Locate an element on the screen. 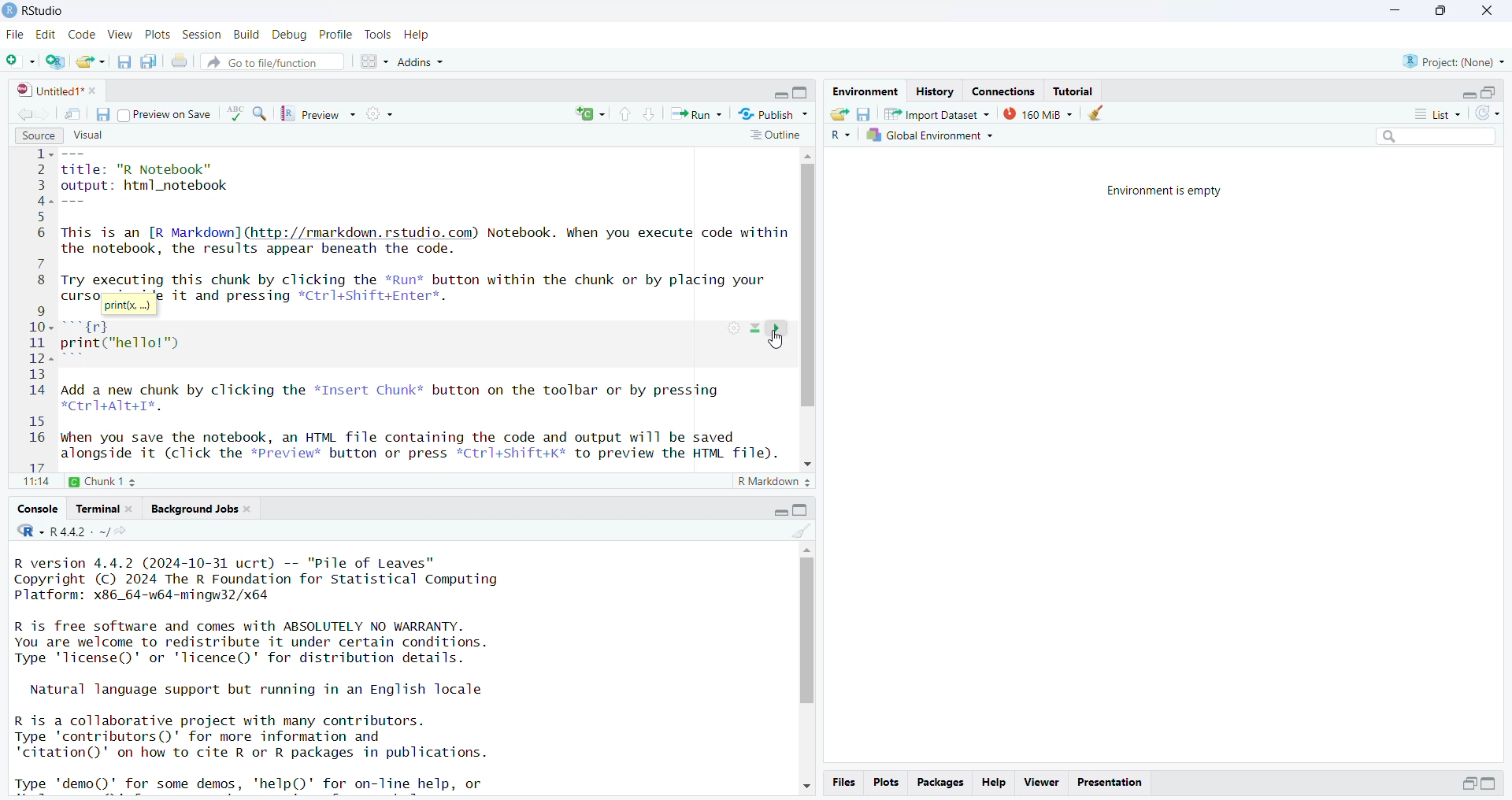 Image resolution: width=1512 pixels, height=800 pixels. console is located at coordinates (39, 509).